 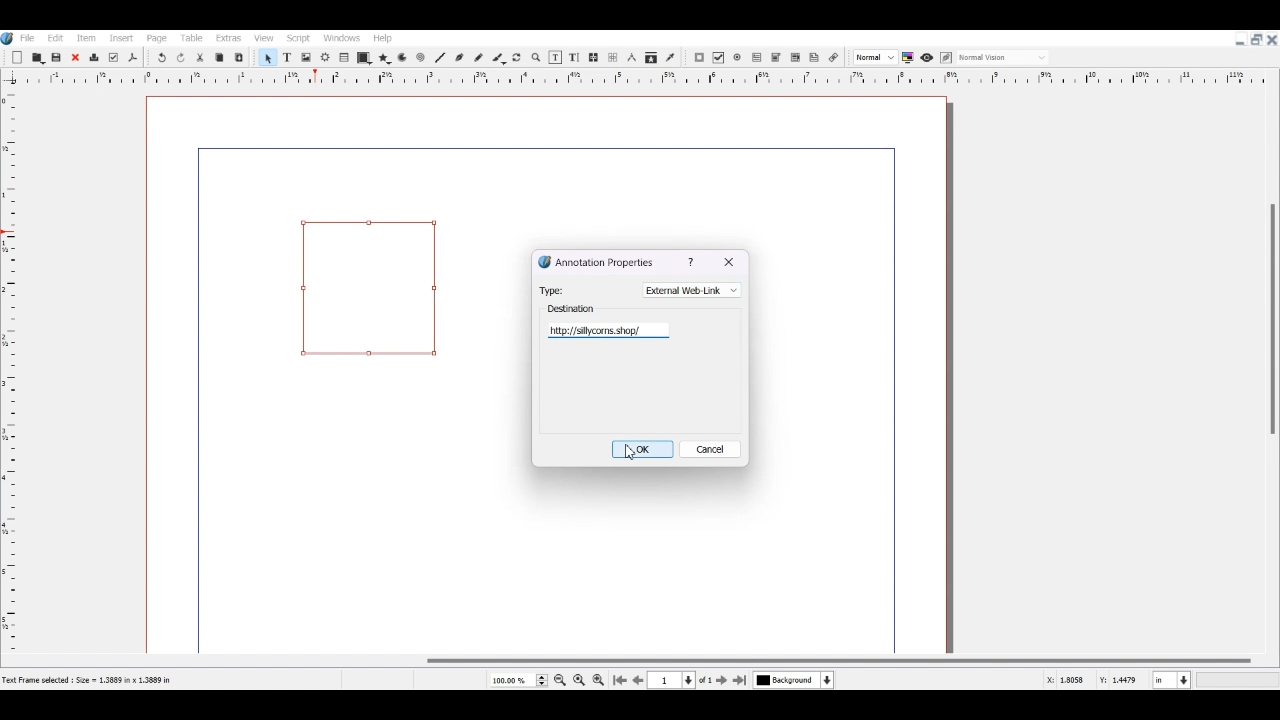 I want to click on Rotate Item, so click(x=518, y=58).